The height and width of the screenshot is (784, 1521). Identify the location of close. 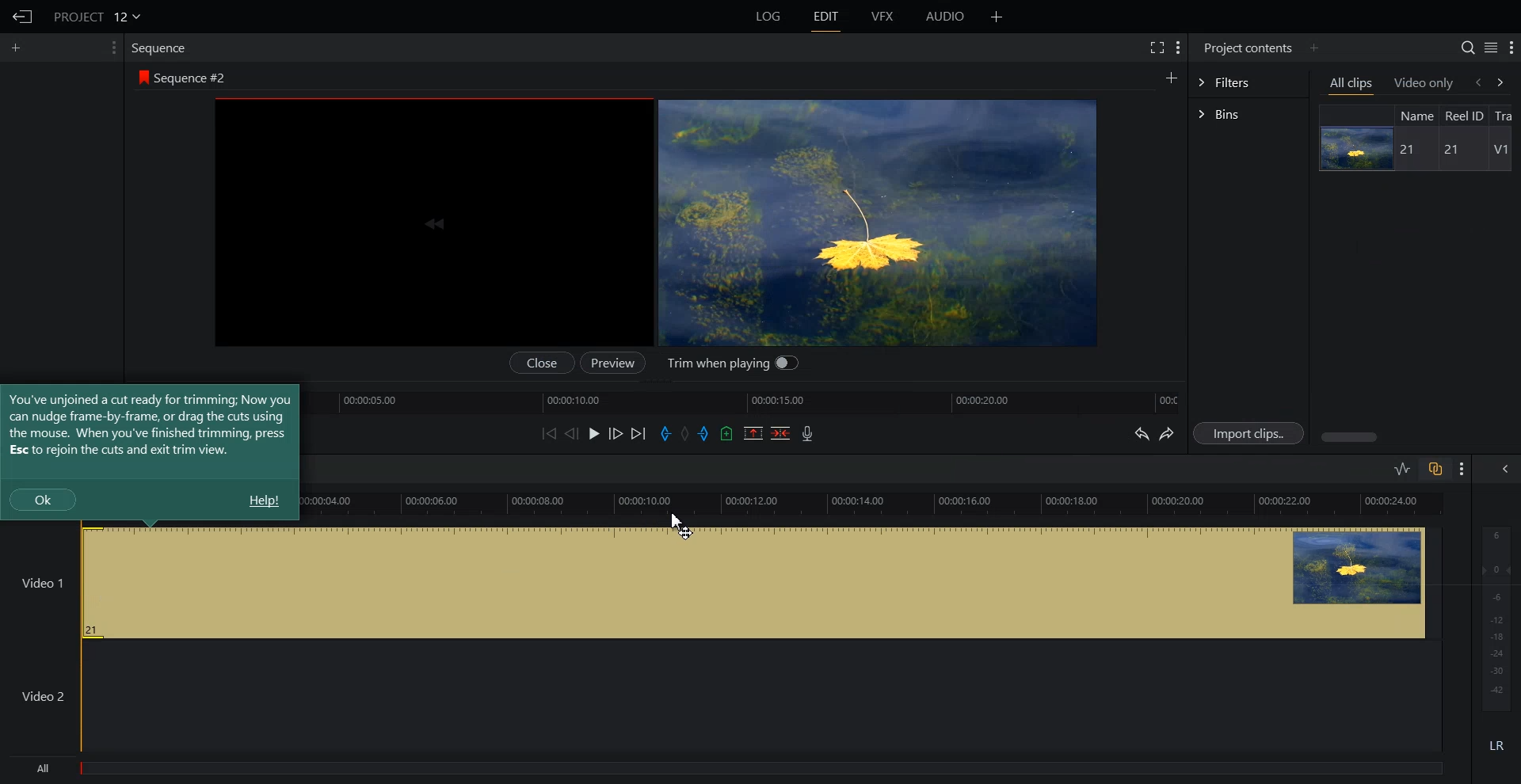
(545, 363).